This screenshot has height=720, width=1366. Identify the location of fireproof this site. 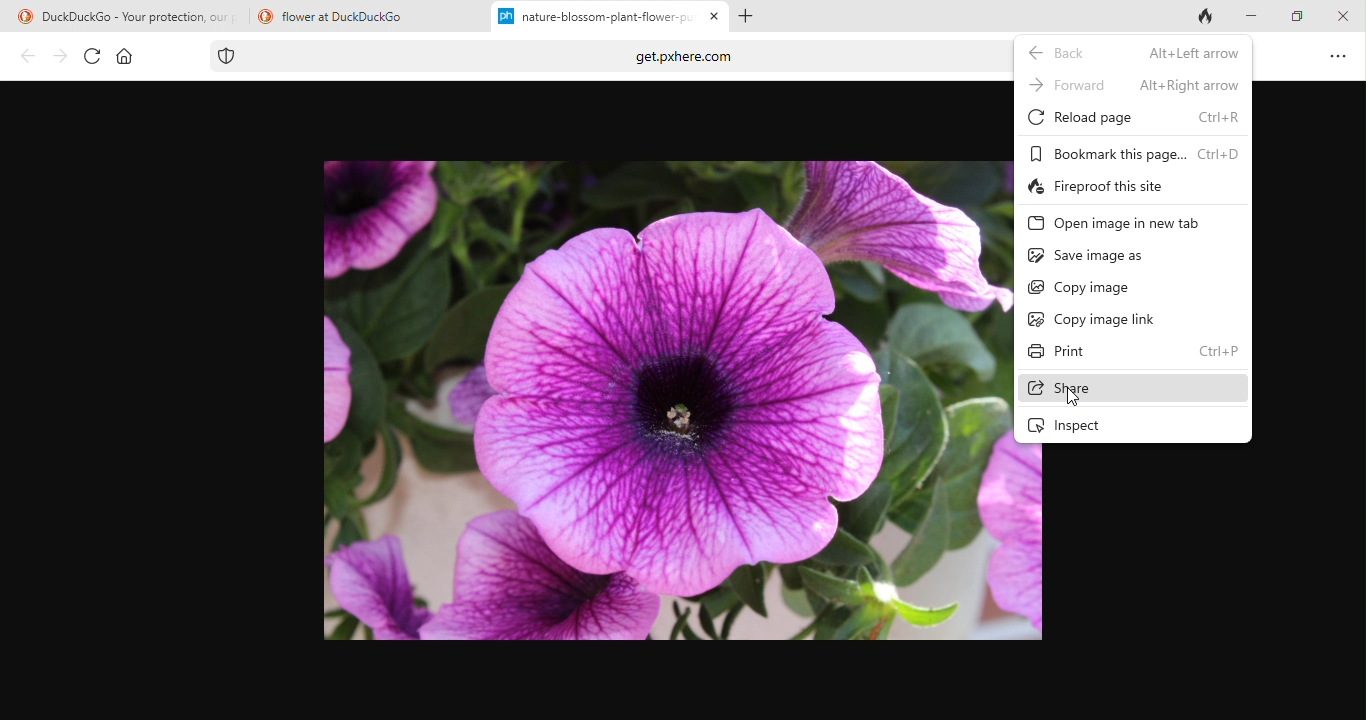
(1107, 188).